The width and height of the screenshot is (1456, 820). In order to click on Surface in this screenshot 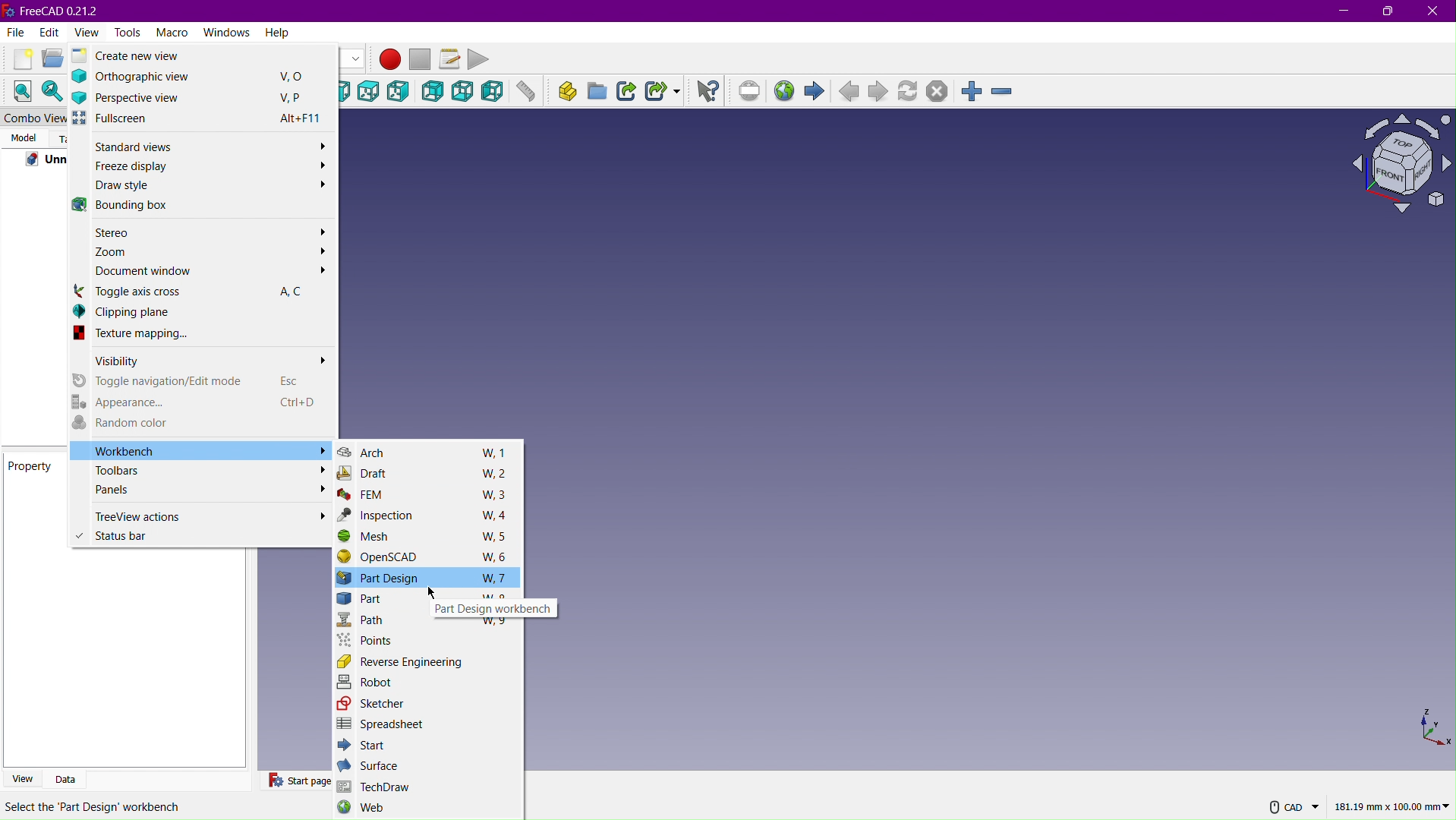, I will do `click(371, 766)`.